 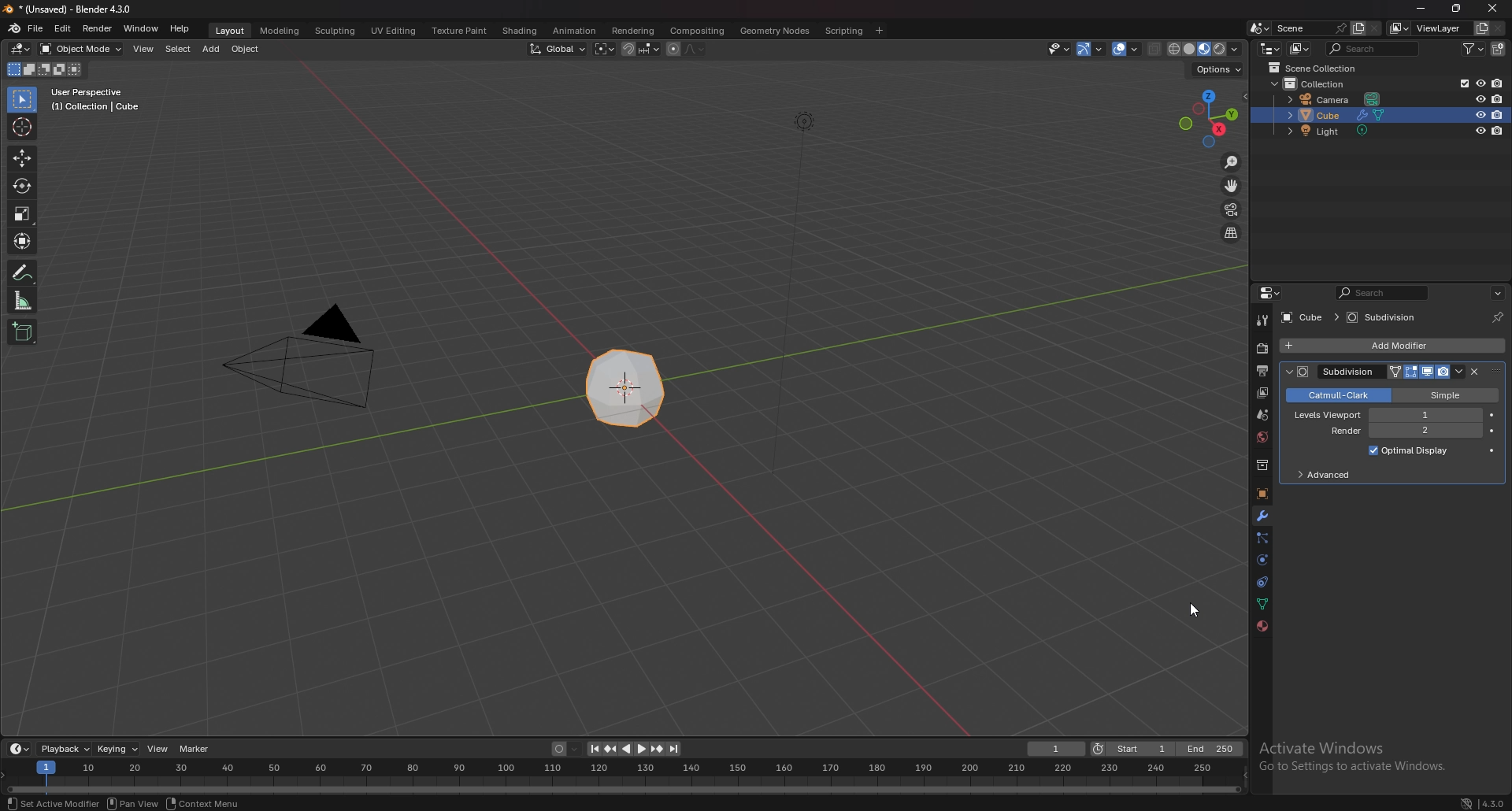 What do you see at coordinates (578, 29) in the screenshot?
I see `animation` at bounding box center [578, 29].